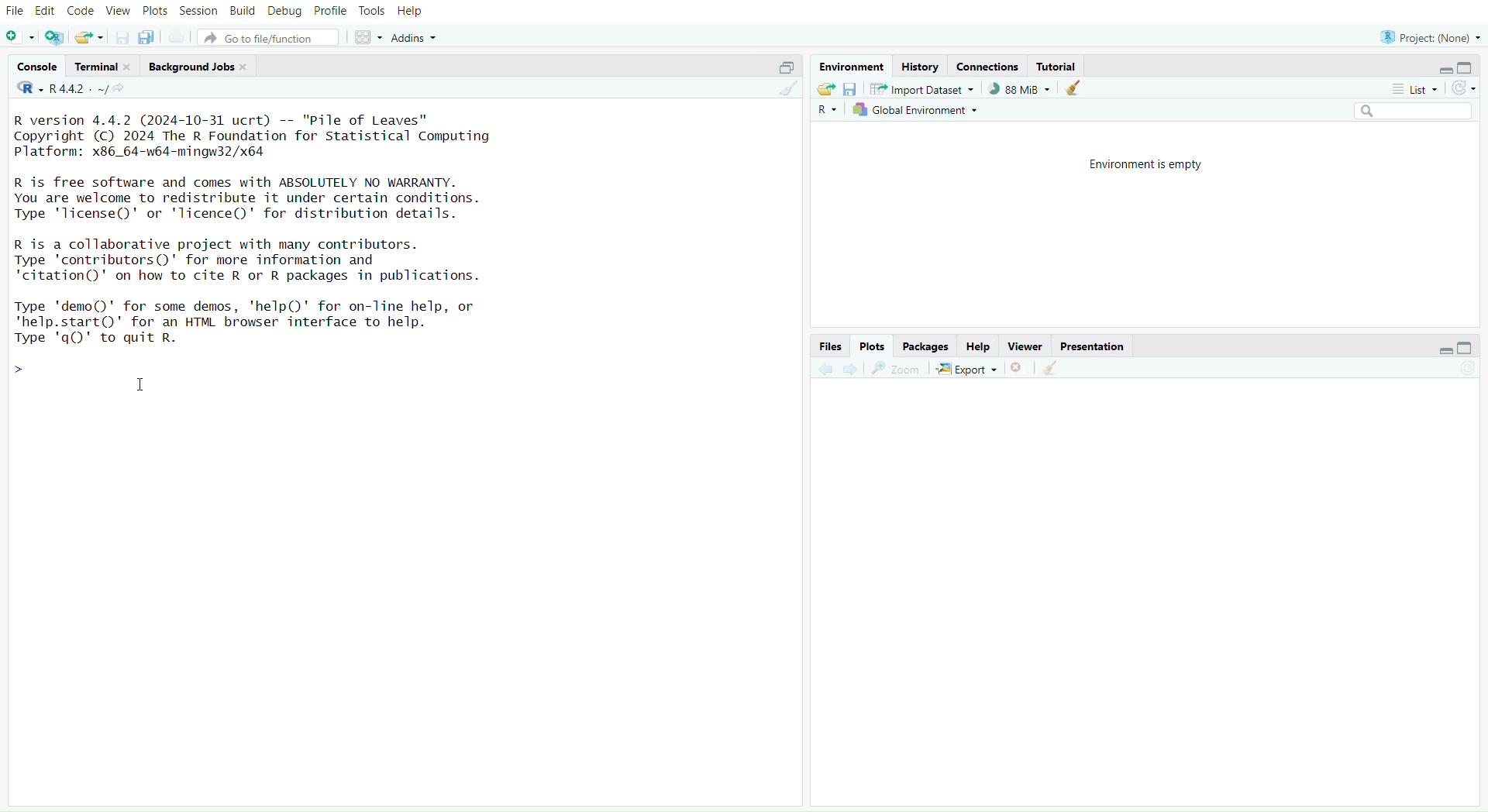 This screenshot has height=812, width=1488. What do you see at coordinates (782, 67) in the screenshot?
I see `expand` at bounding box center [782, 67].